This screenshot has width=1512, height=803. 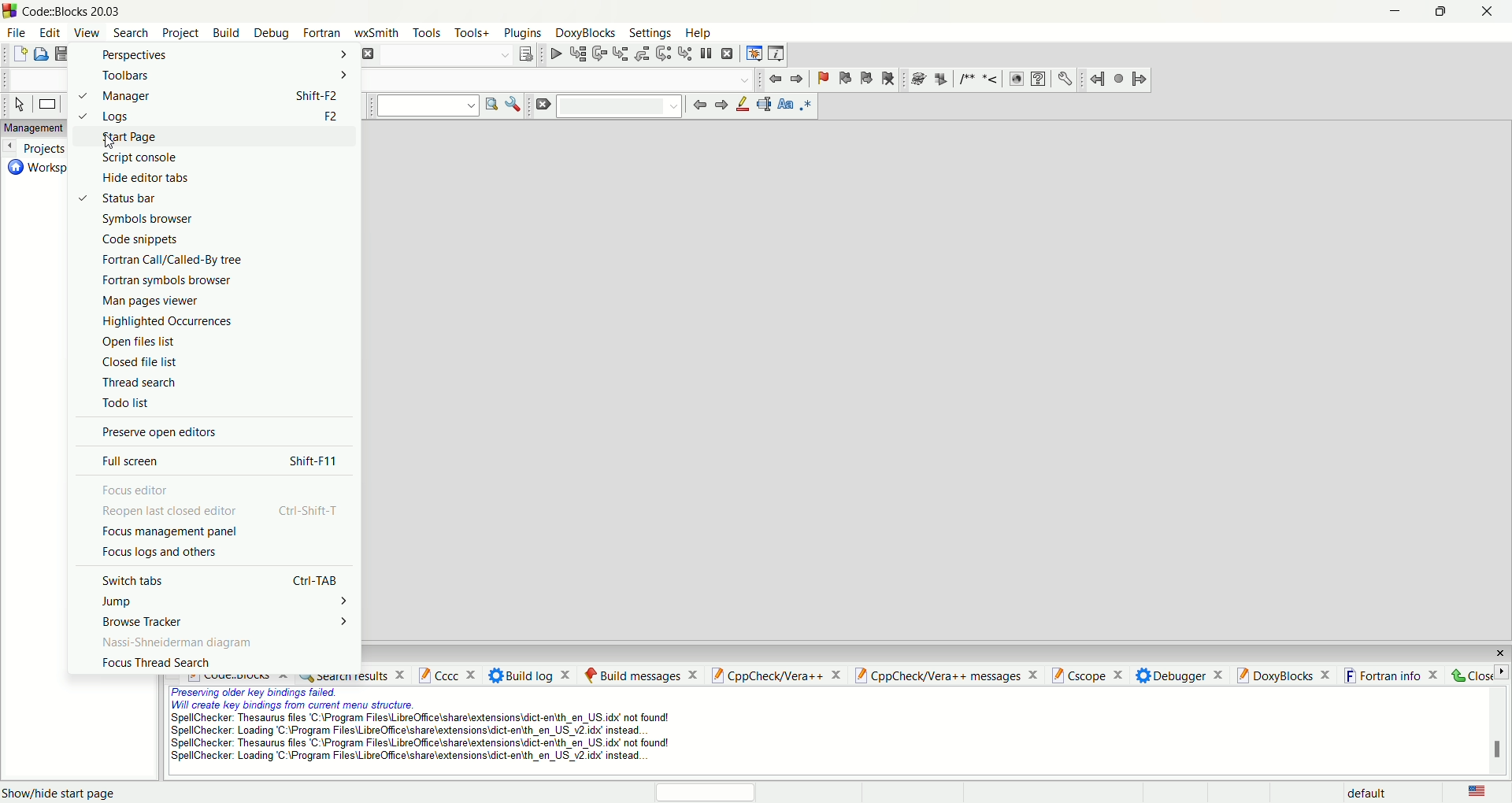 I want to click on previous bookmark, so click(x=843, y=77).